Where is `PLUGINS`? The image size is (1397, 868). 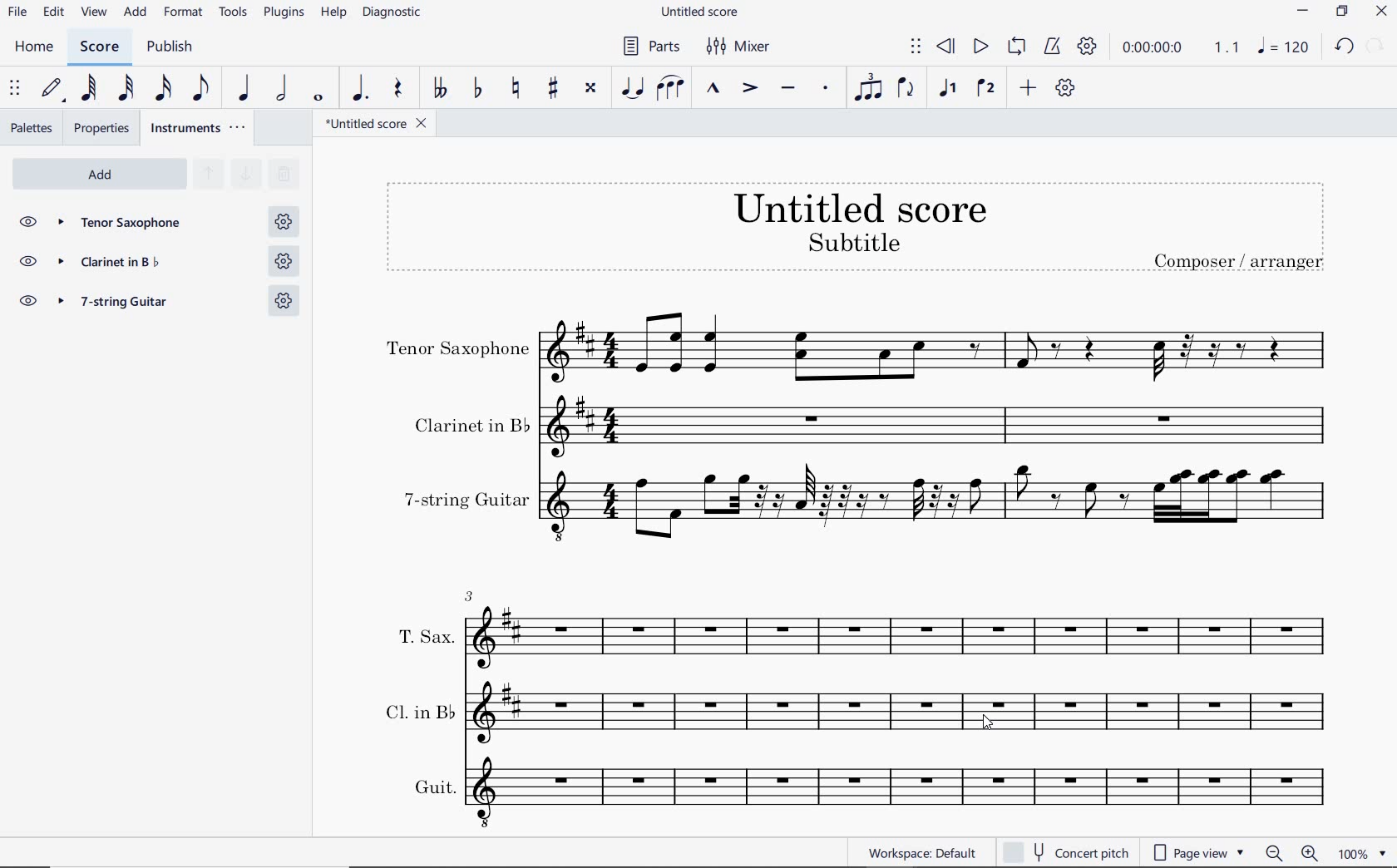
PLUGINS is located at coordinates (284, 13).